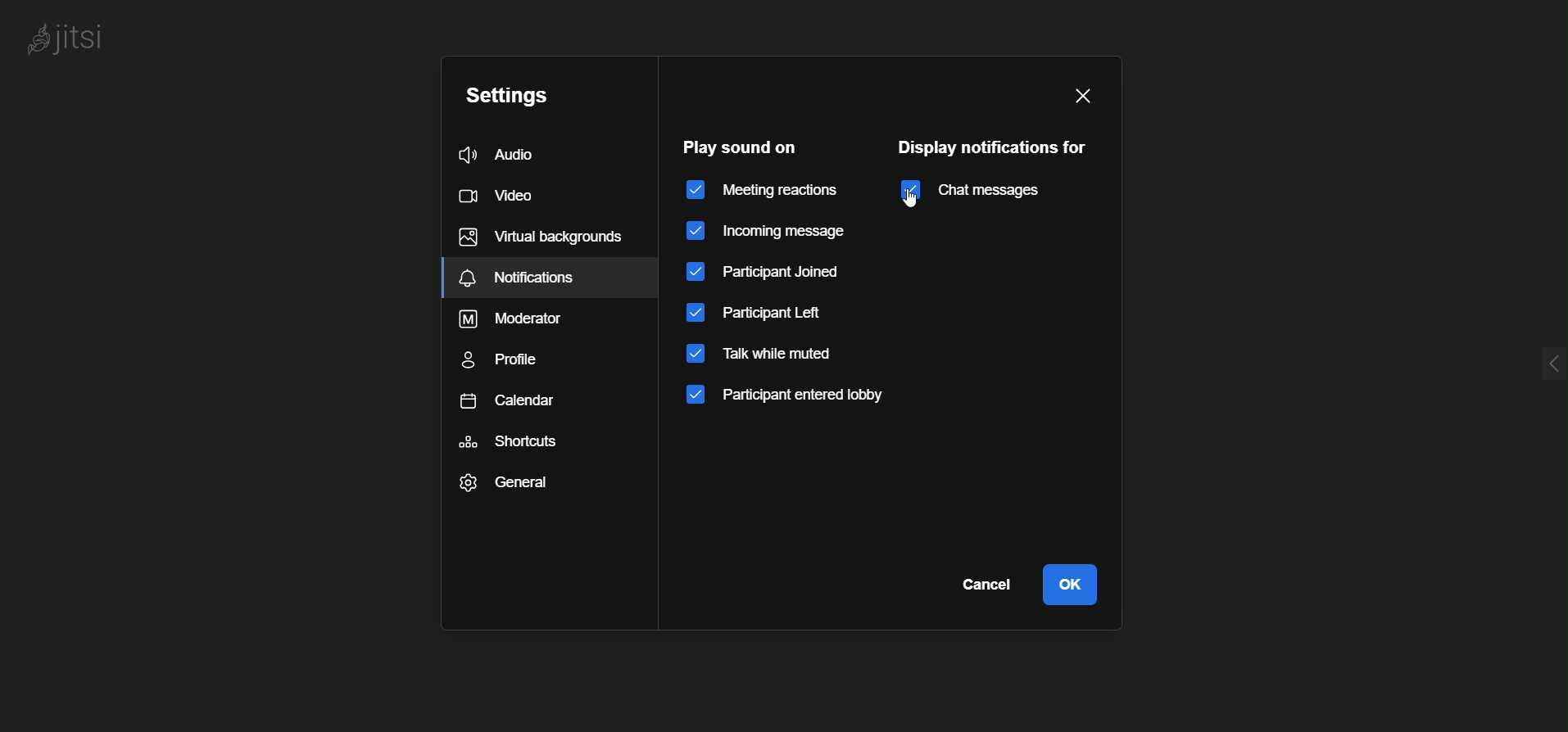  I want to click on enabled chat message, so click(977, 192).